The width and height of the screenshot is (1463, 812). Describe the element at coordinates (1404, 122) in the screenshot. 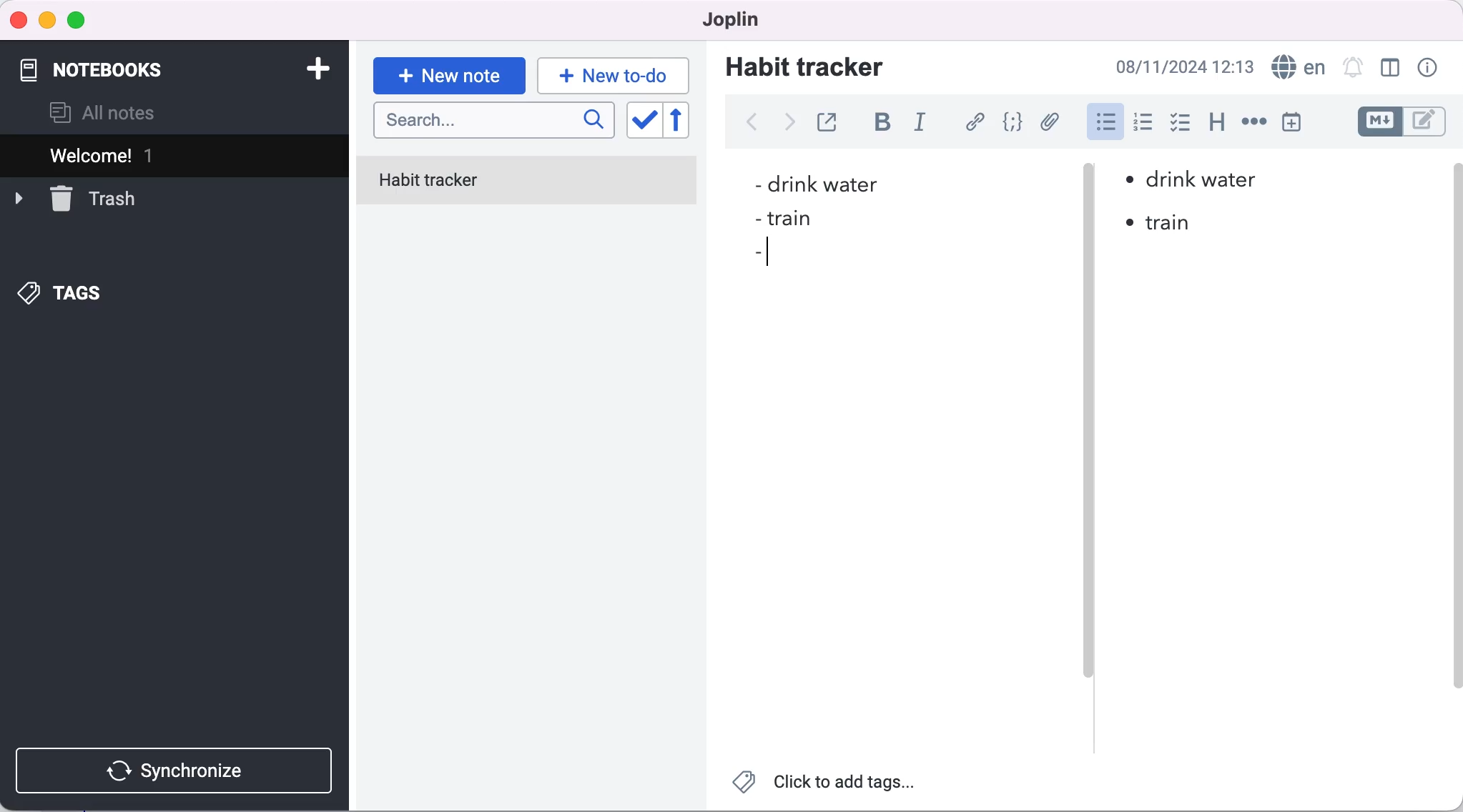

I see `toggle editors` at that location.